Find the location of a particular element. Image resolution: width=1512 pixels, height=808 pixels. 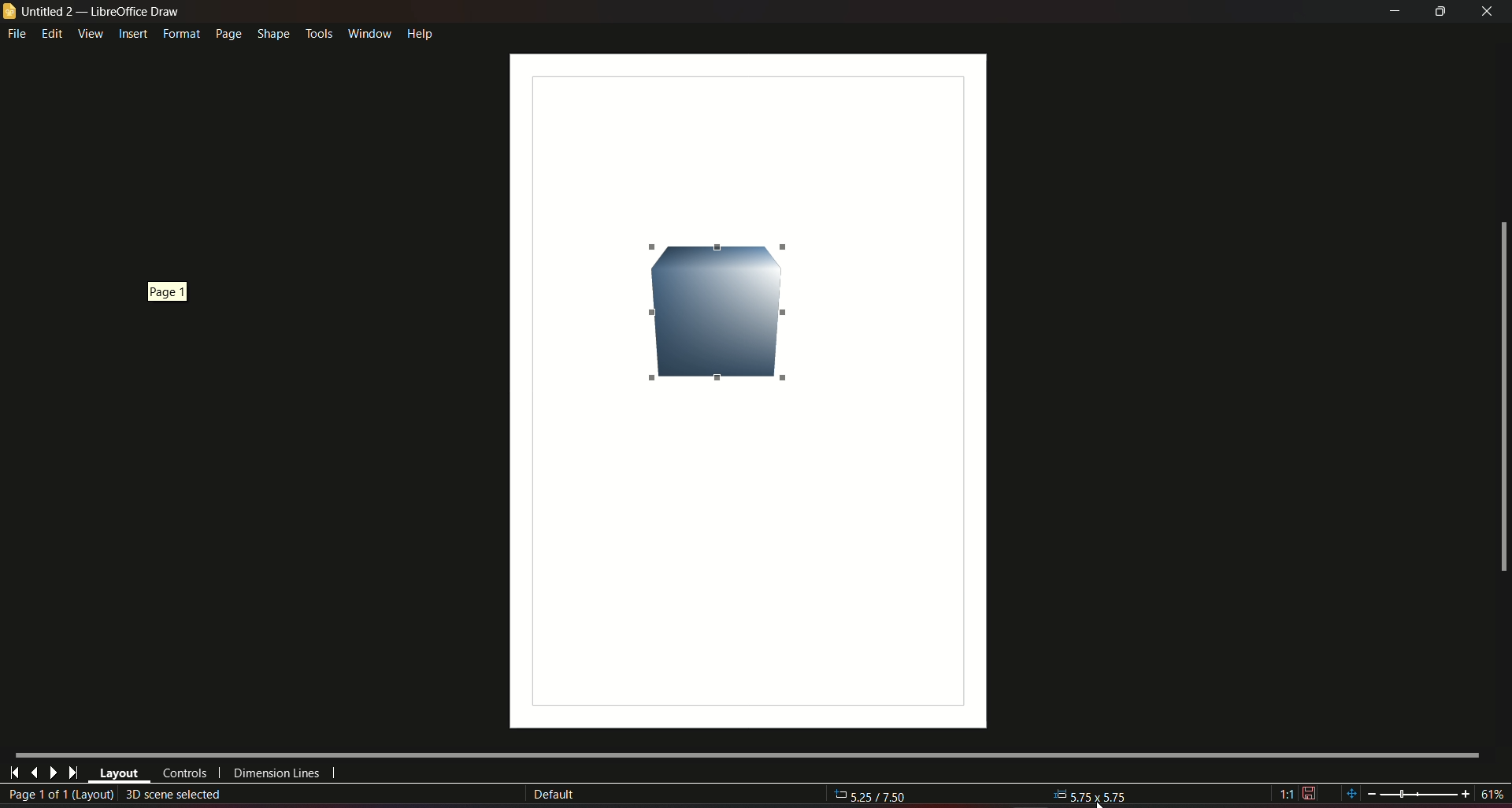

layout is located at coordinates (119, 774).